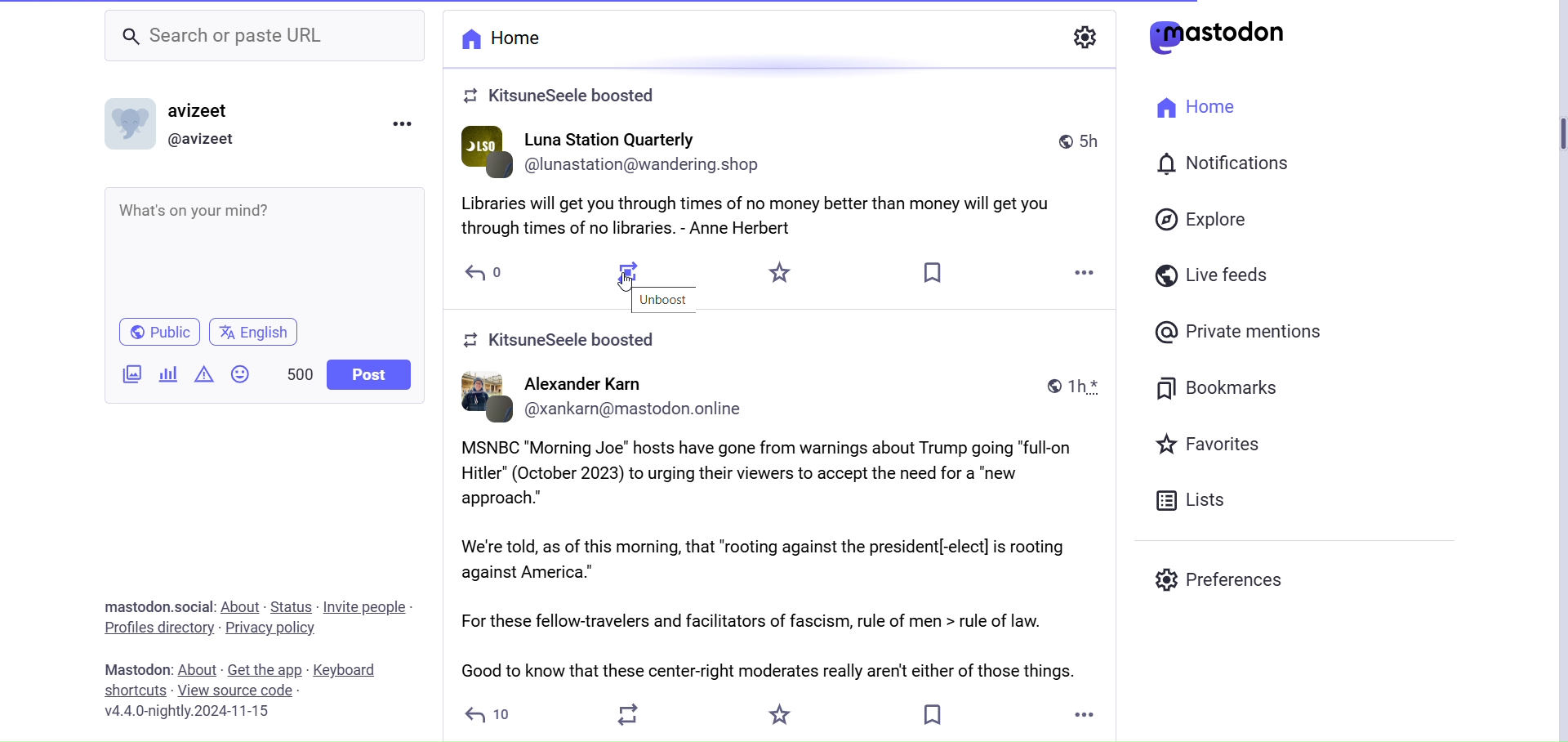  I want to click on Favorite, so click(783, 714).